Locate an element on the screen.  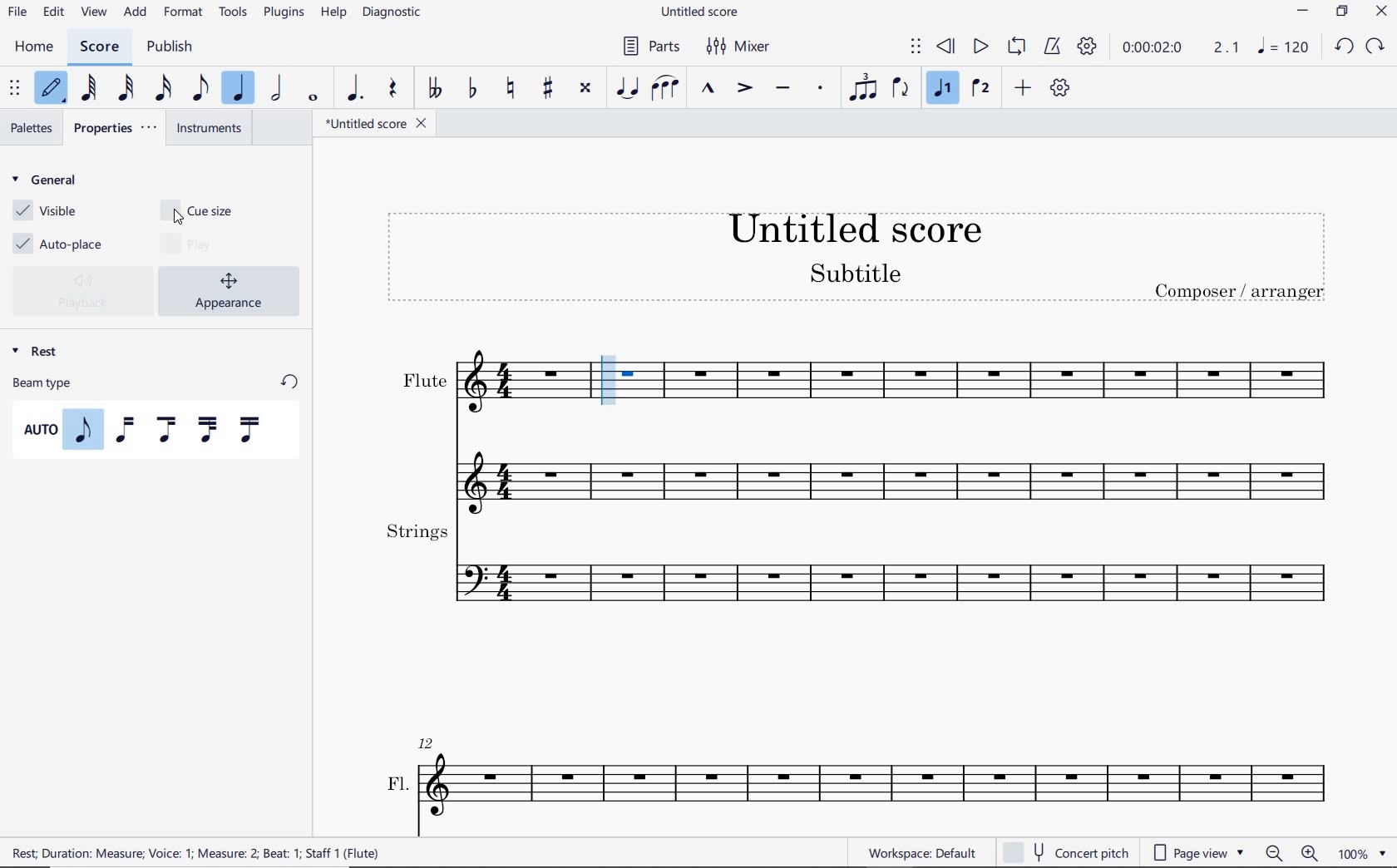
FLIP DIRECTION is located at coordinates (901, 90).